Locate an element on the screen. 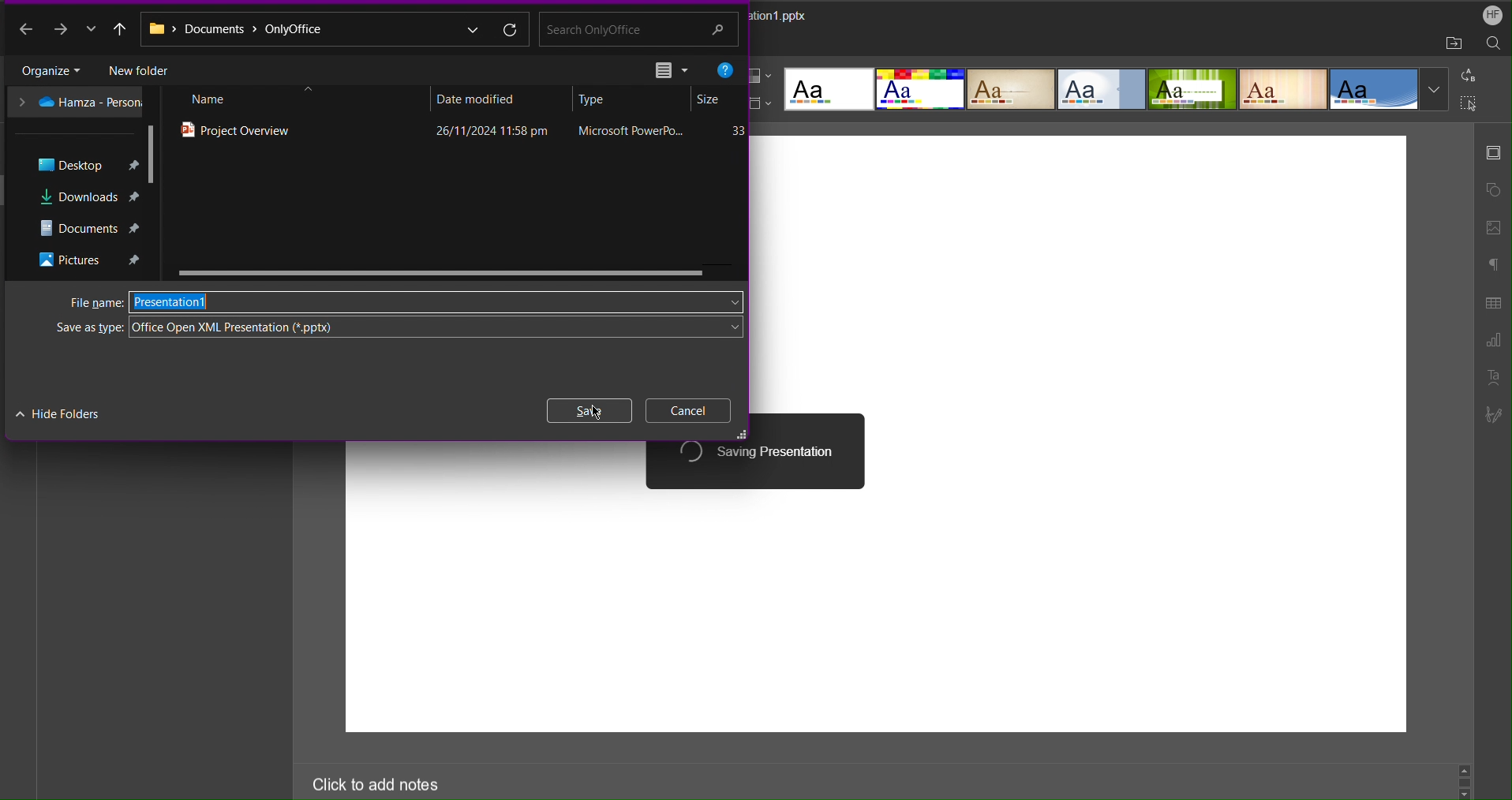 Image resolution: width=1512 pixels, height=800 pixels. Go up is located at coordinates (1465, 768).